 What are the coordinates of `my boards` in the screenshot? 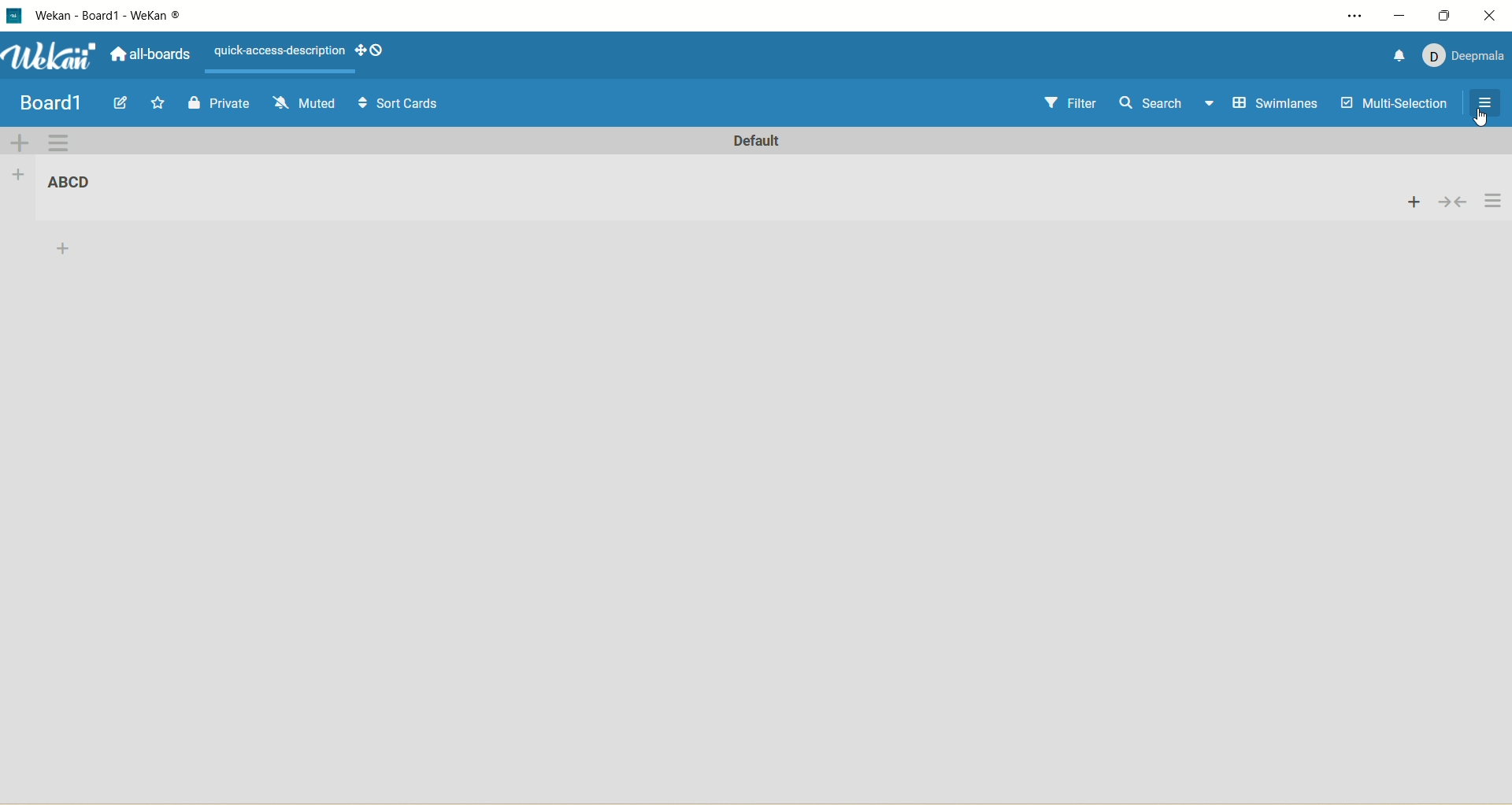 It's located at (68, 100).